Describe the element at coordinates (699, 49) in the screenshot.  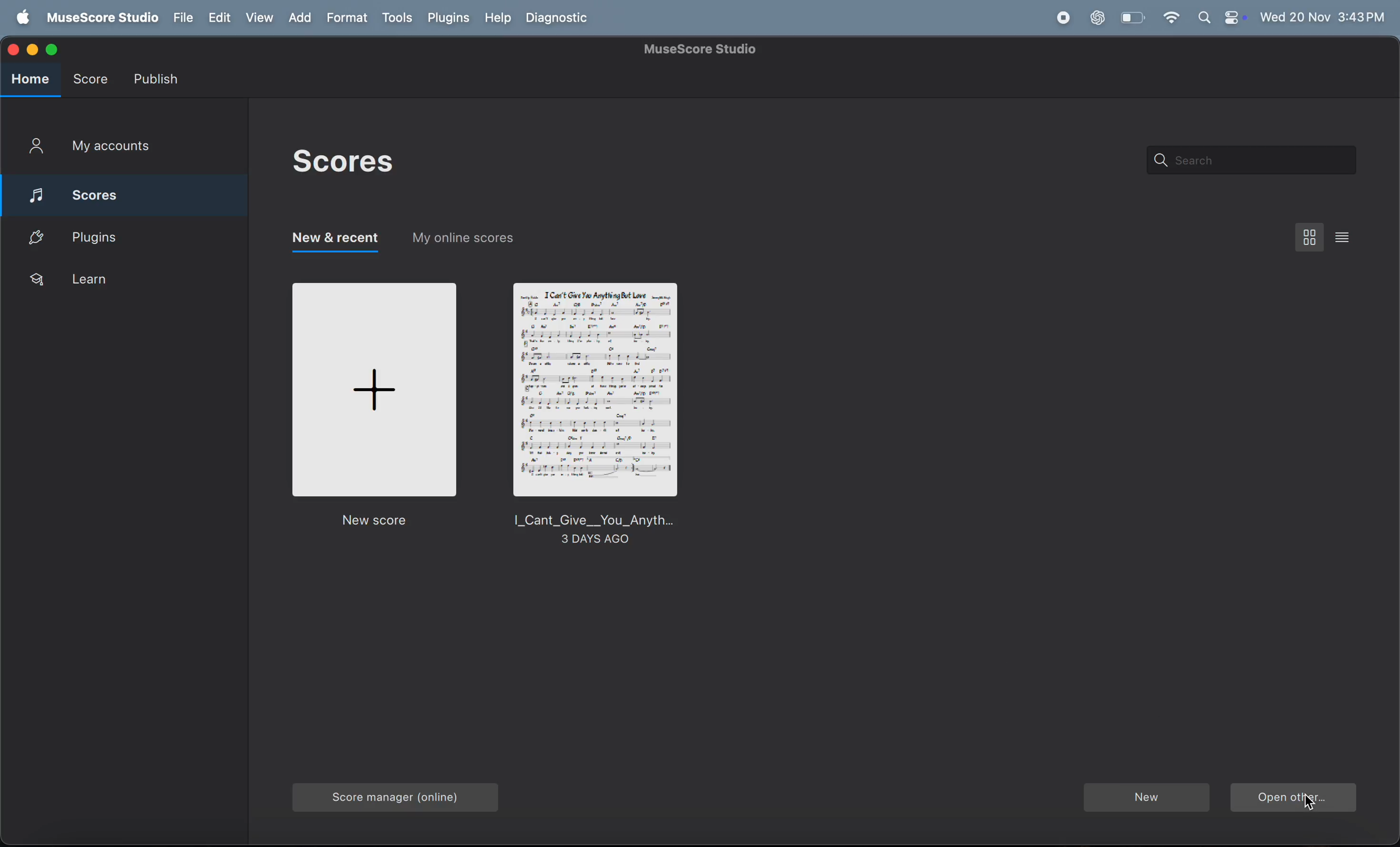
I see `musescore title` at that location.